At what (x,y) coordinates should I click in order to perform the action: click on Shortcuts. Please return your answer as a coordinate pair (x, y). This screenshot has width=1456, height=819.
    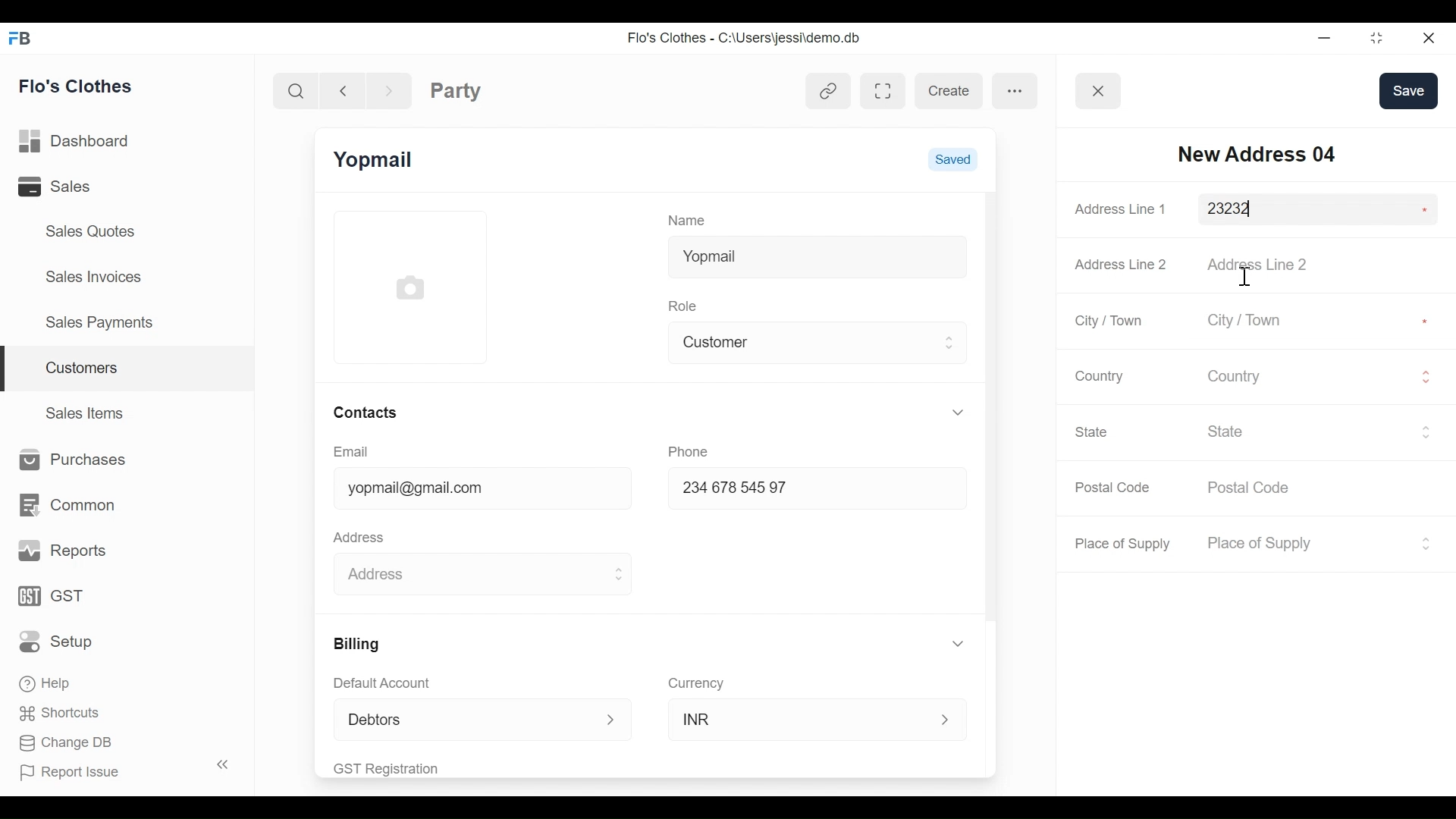
    Looking at the image, I should click on (55, 712).